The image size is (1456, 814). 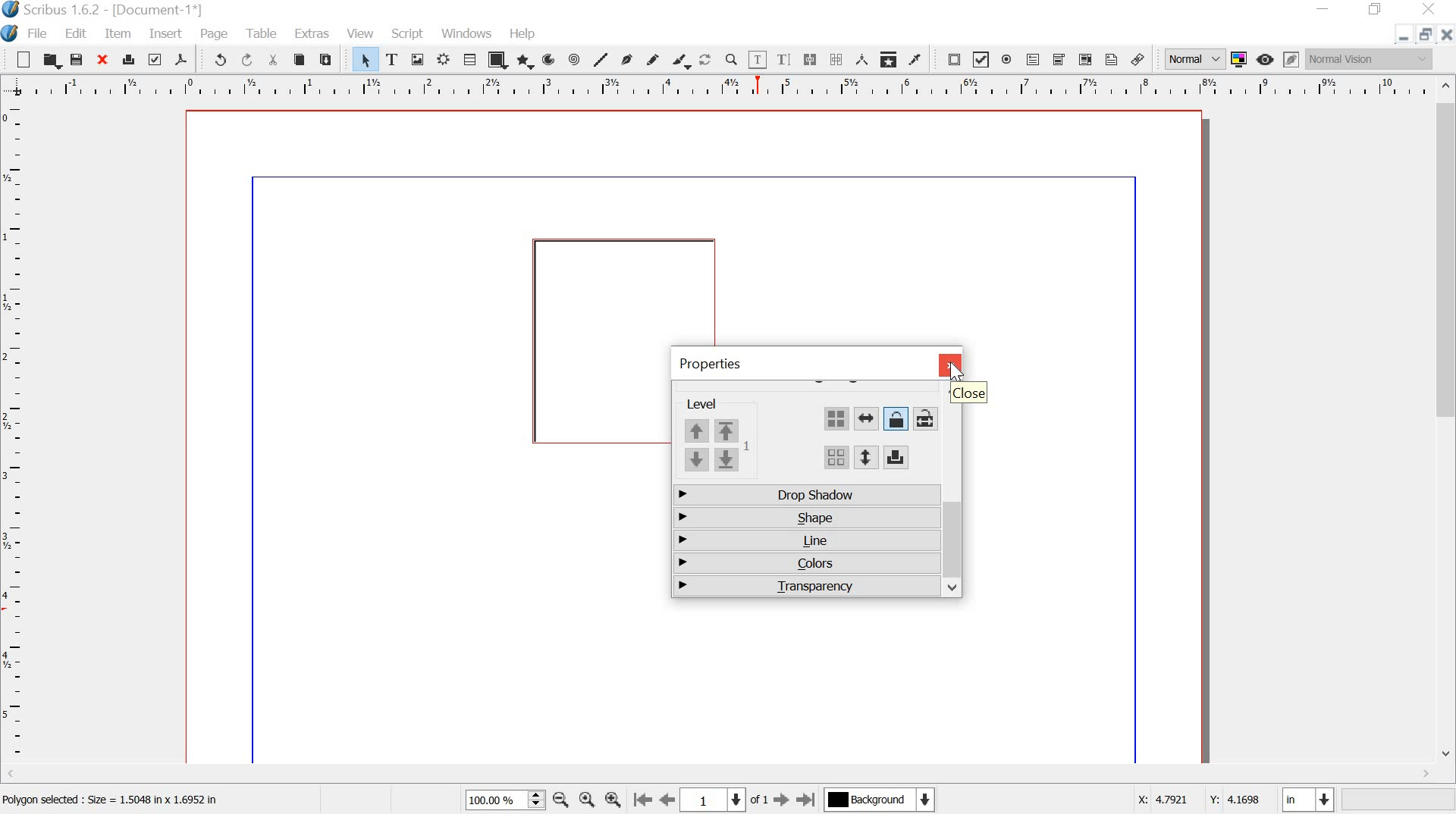 What do you see at coordinates (602, 59) in the screenshot?
I see `line` at bounding box center [602, 59].